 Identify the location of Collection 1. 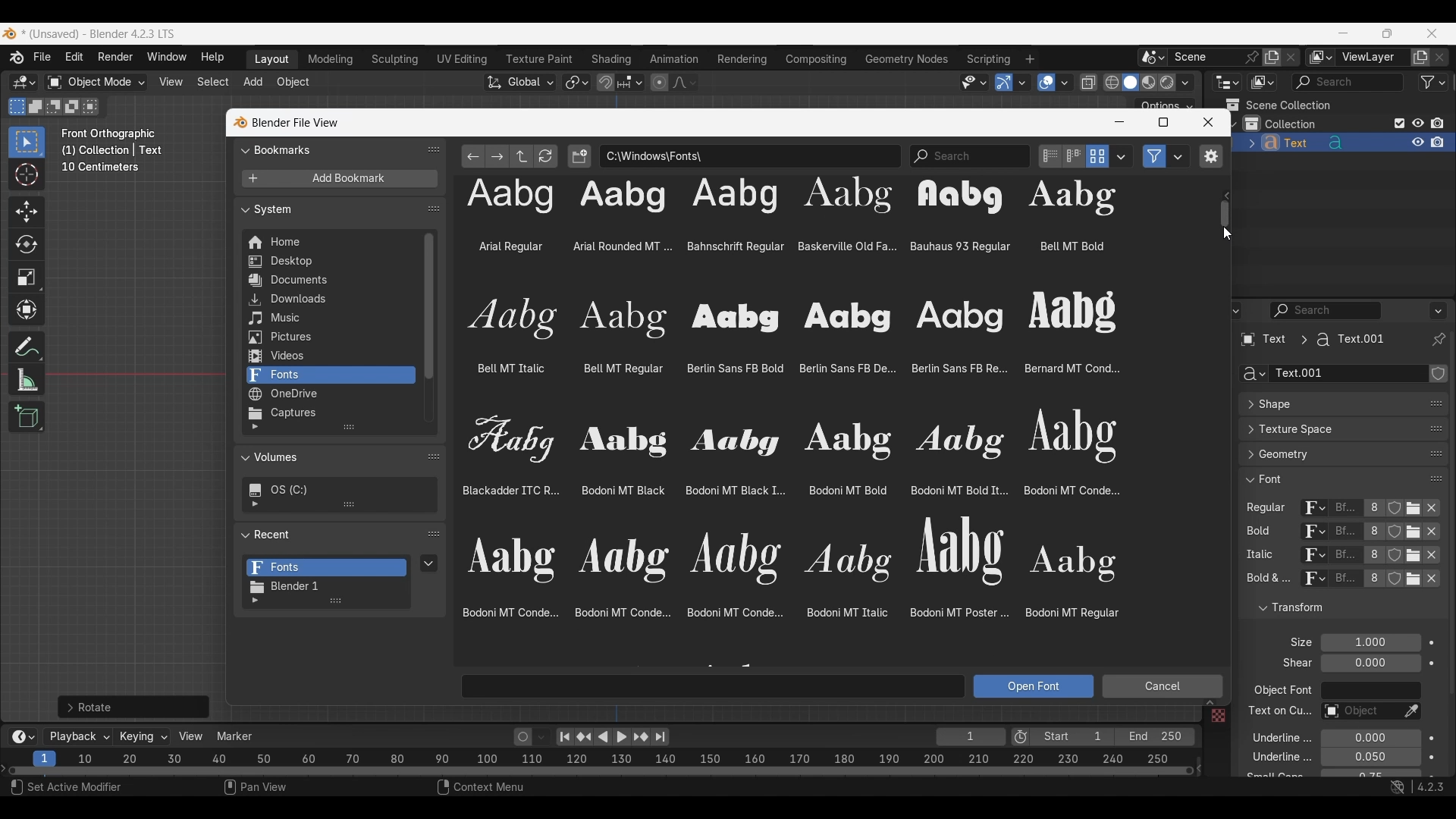
(1283, 124).